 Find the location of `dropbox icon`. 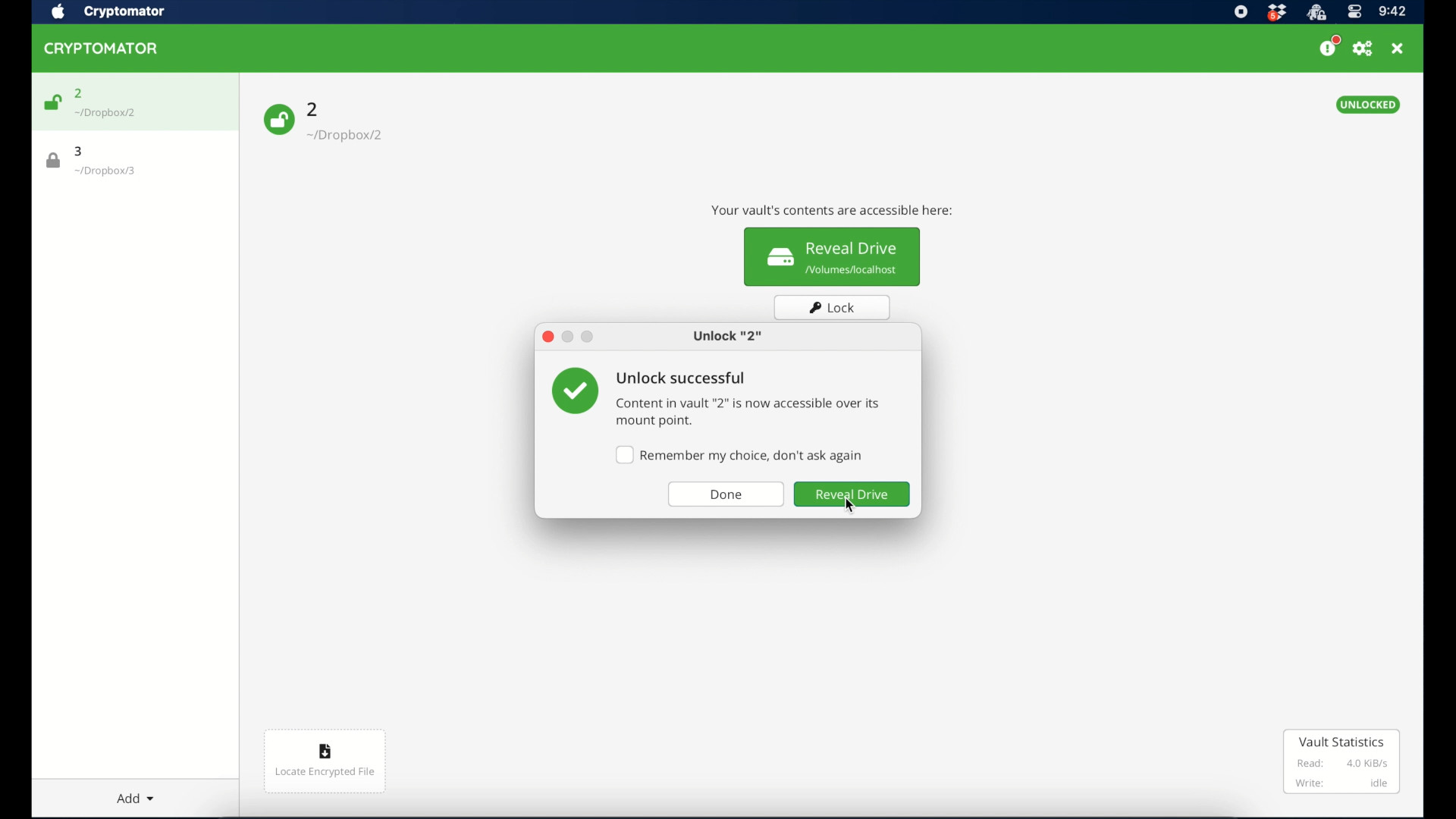

dropbox icon is located at coordinates (1276, 13).